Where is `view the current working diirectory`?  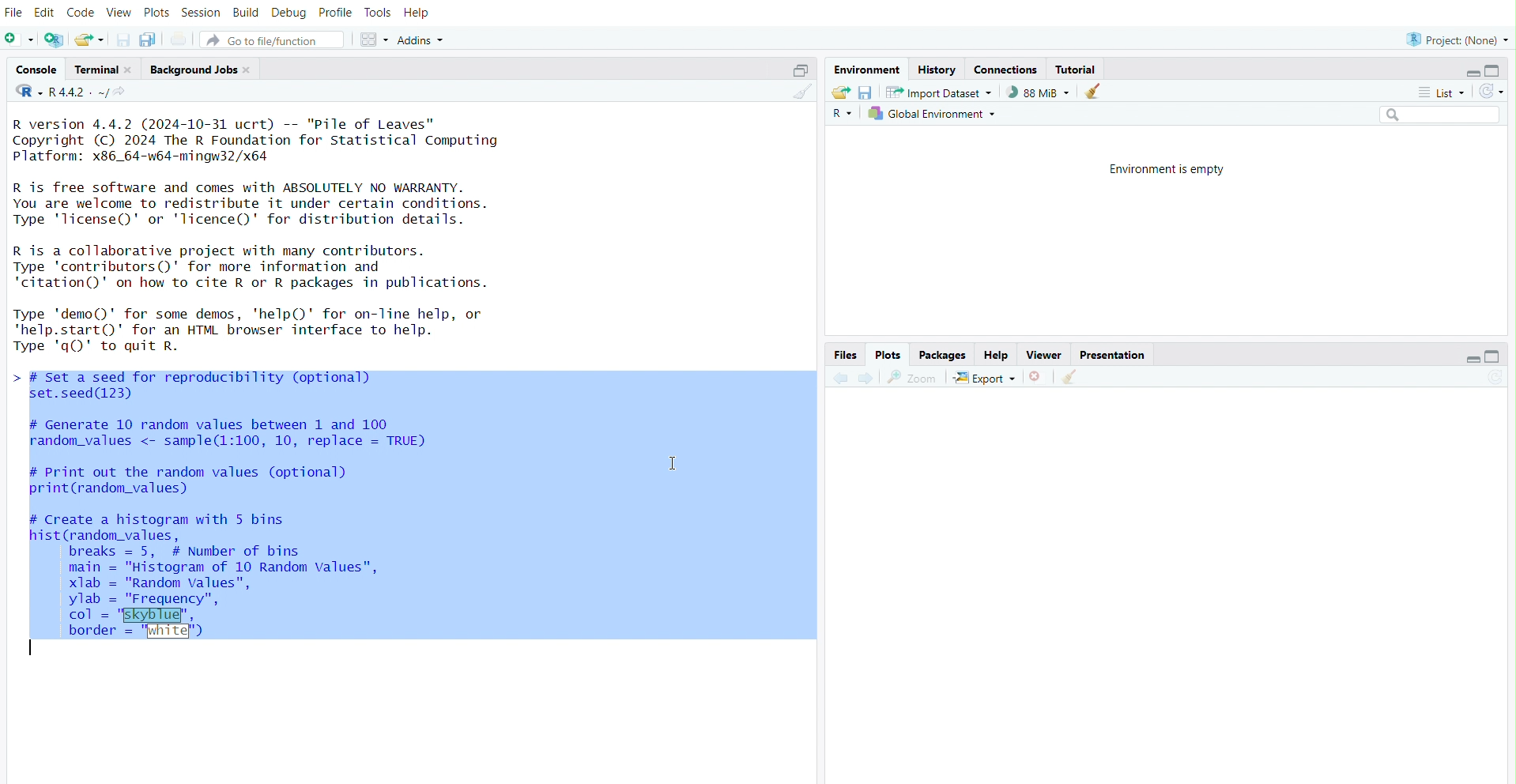 view the current working diirectory is located at coordinates (124, 93).